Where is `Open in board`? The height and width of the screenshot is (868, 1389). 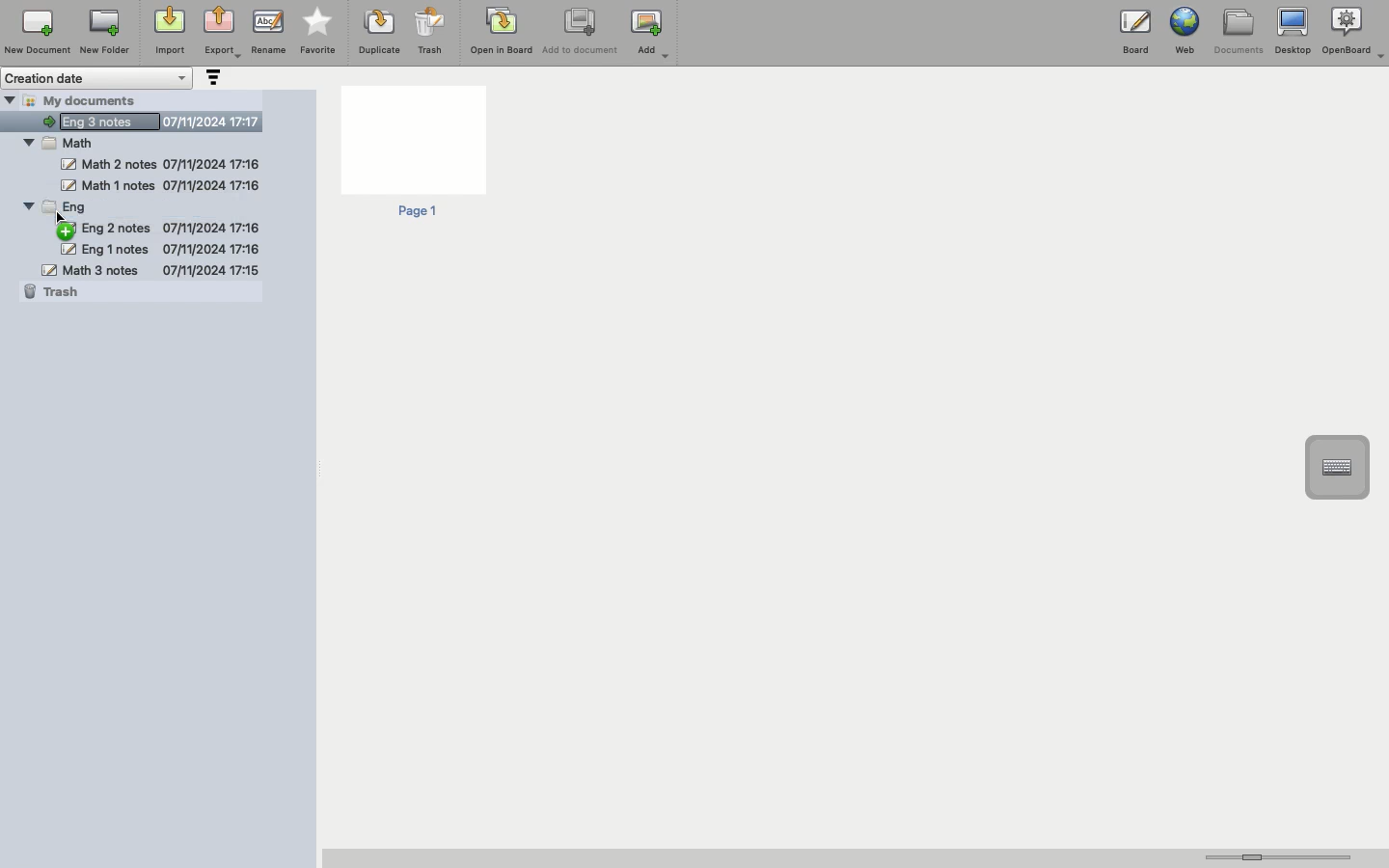
Open in board is located at coordinates (502, 30).